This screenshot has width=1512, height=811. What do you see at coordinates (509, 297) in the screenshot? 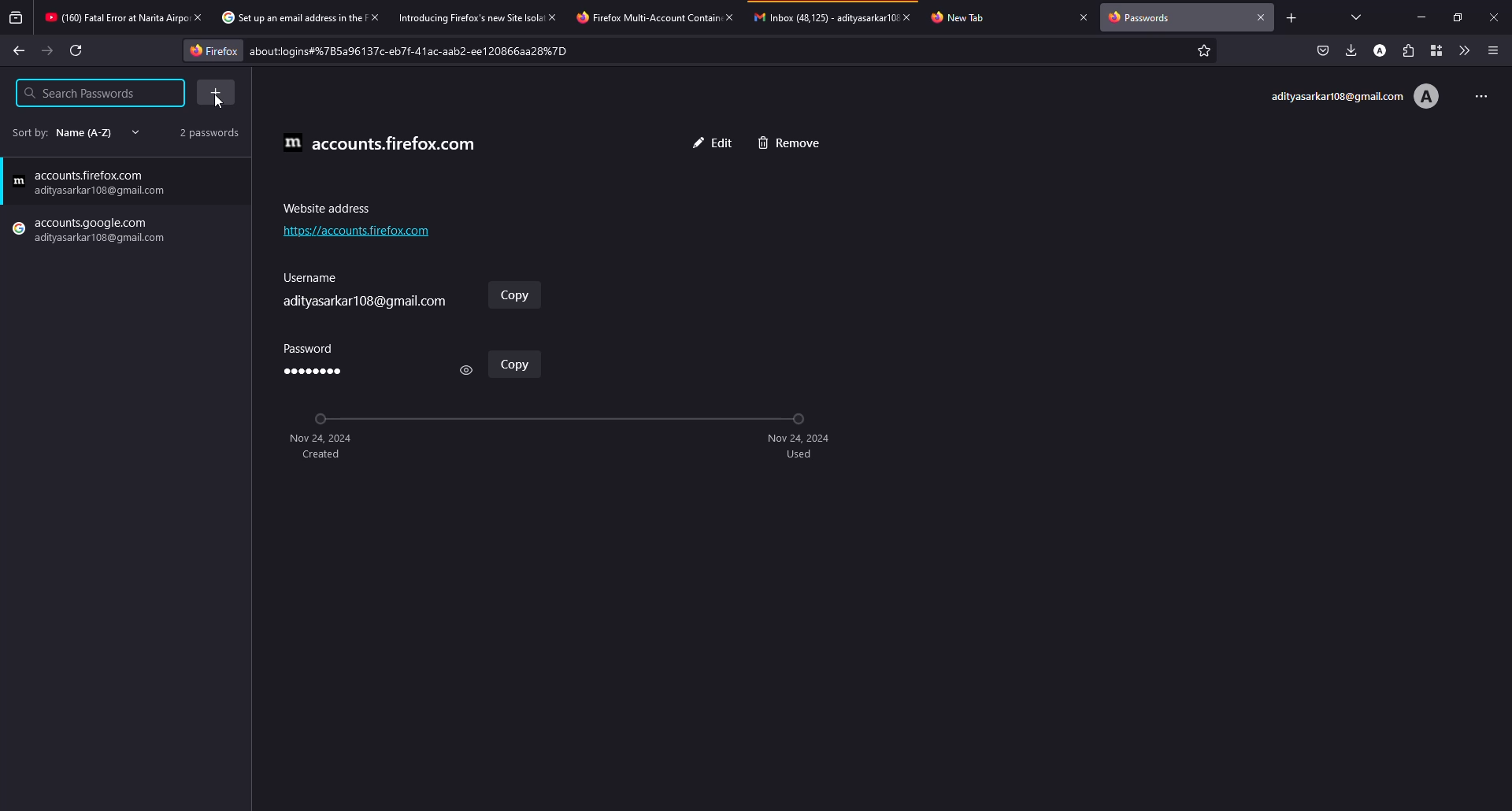
I see `copy` at bounding box center [509, 297].